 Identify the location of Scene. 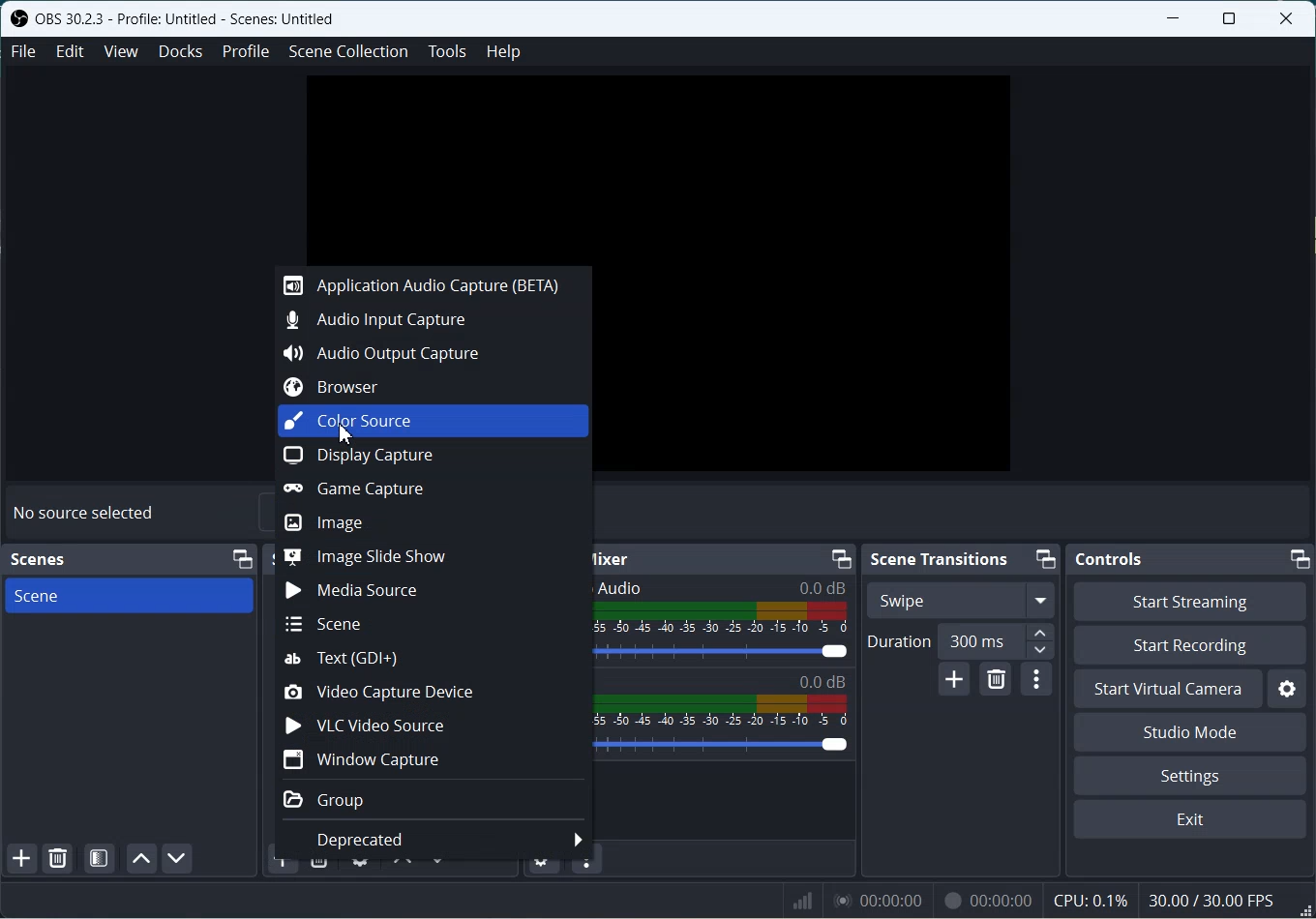
(128, 598).